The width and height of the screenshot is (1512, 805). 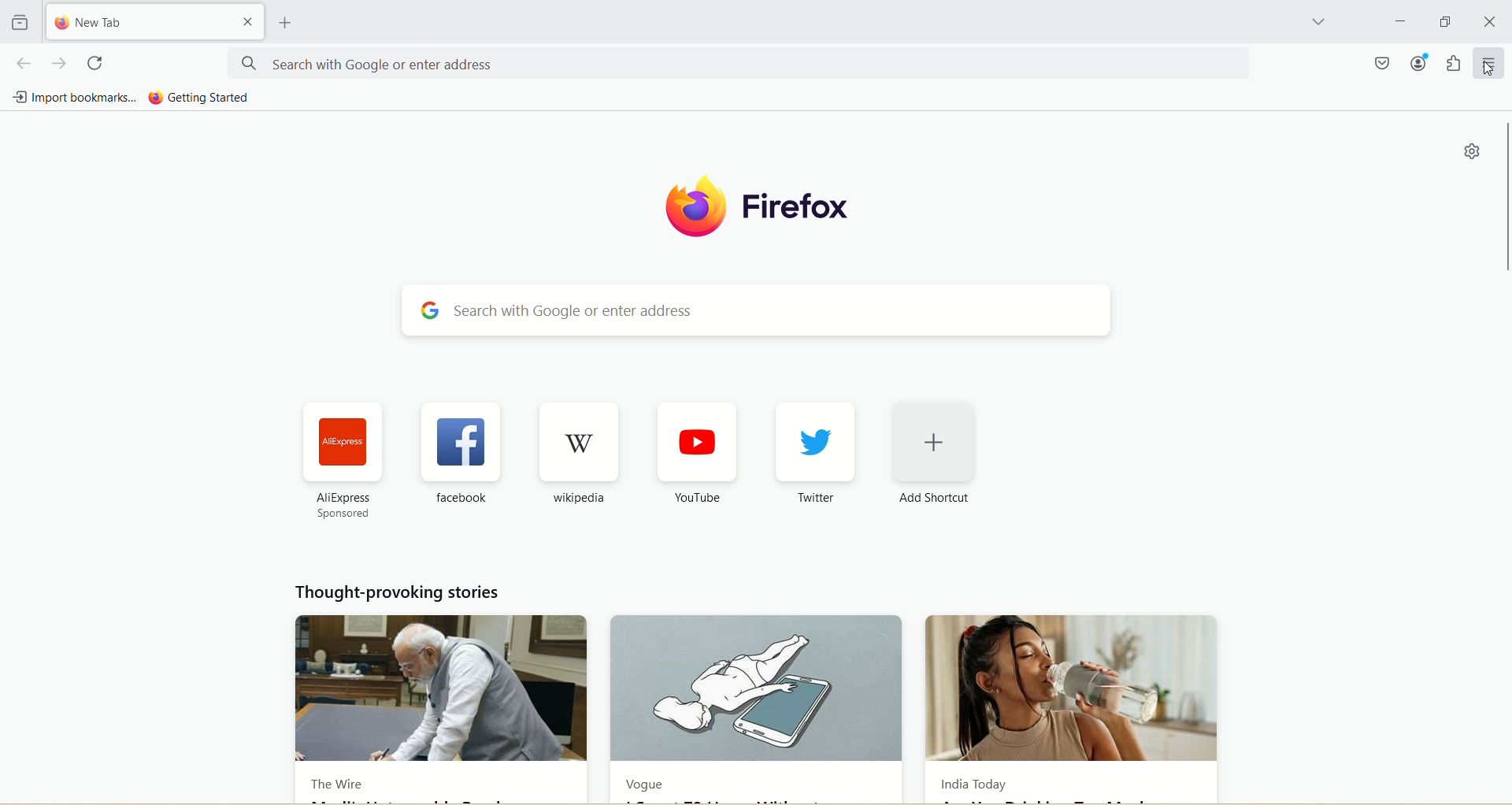 I want to click on India Today new, so click(x=1076, y=688).